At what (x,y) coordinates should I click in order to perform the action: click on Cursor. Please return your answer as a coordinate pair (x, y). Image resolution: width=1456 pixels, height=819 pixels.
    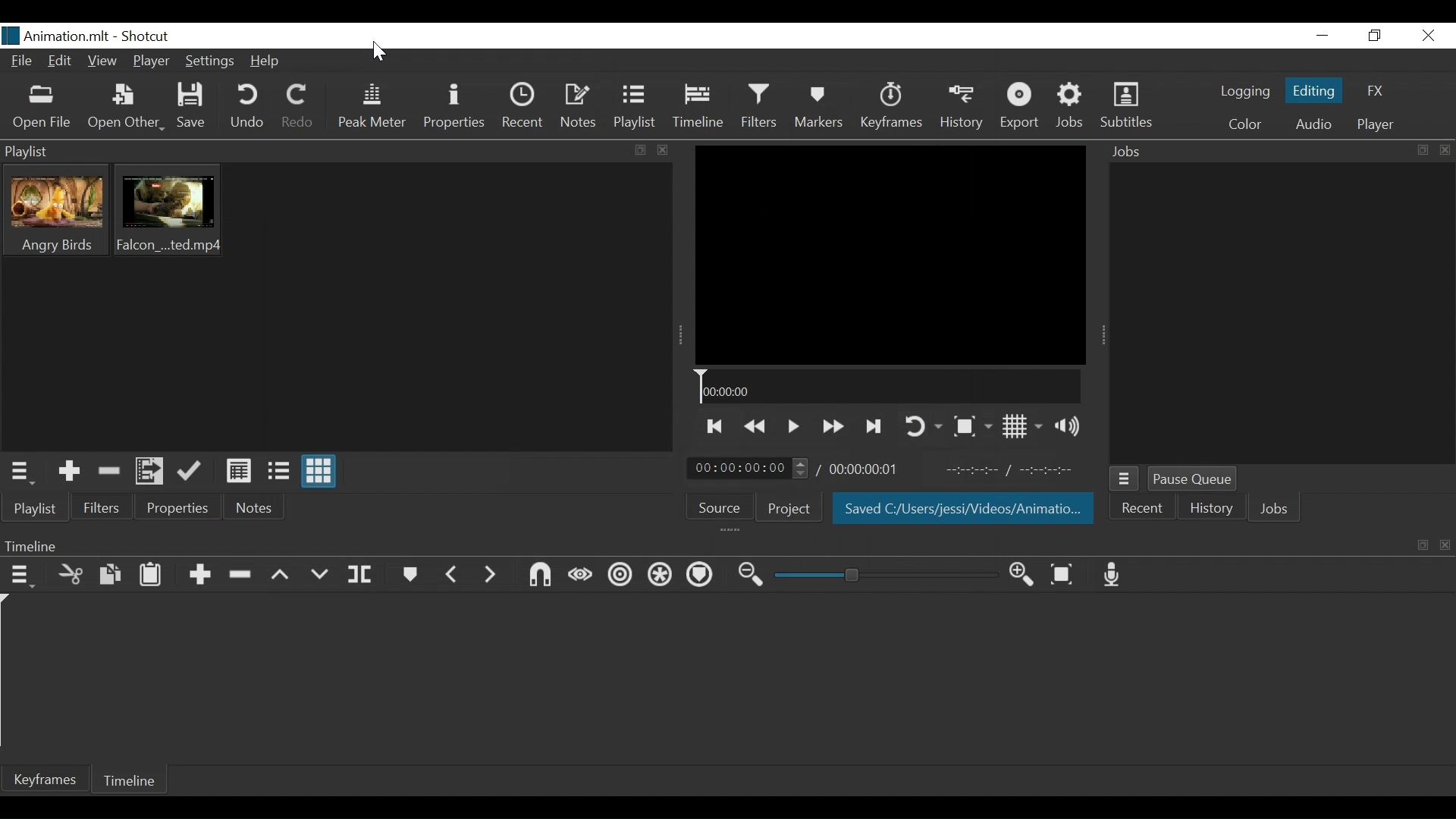
    Looking at the image, I should click on (377, 52).